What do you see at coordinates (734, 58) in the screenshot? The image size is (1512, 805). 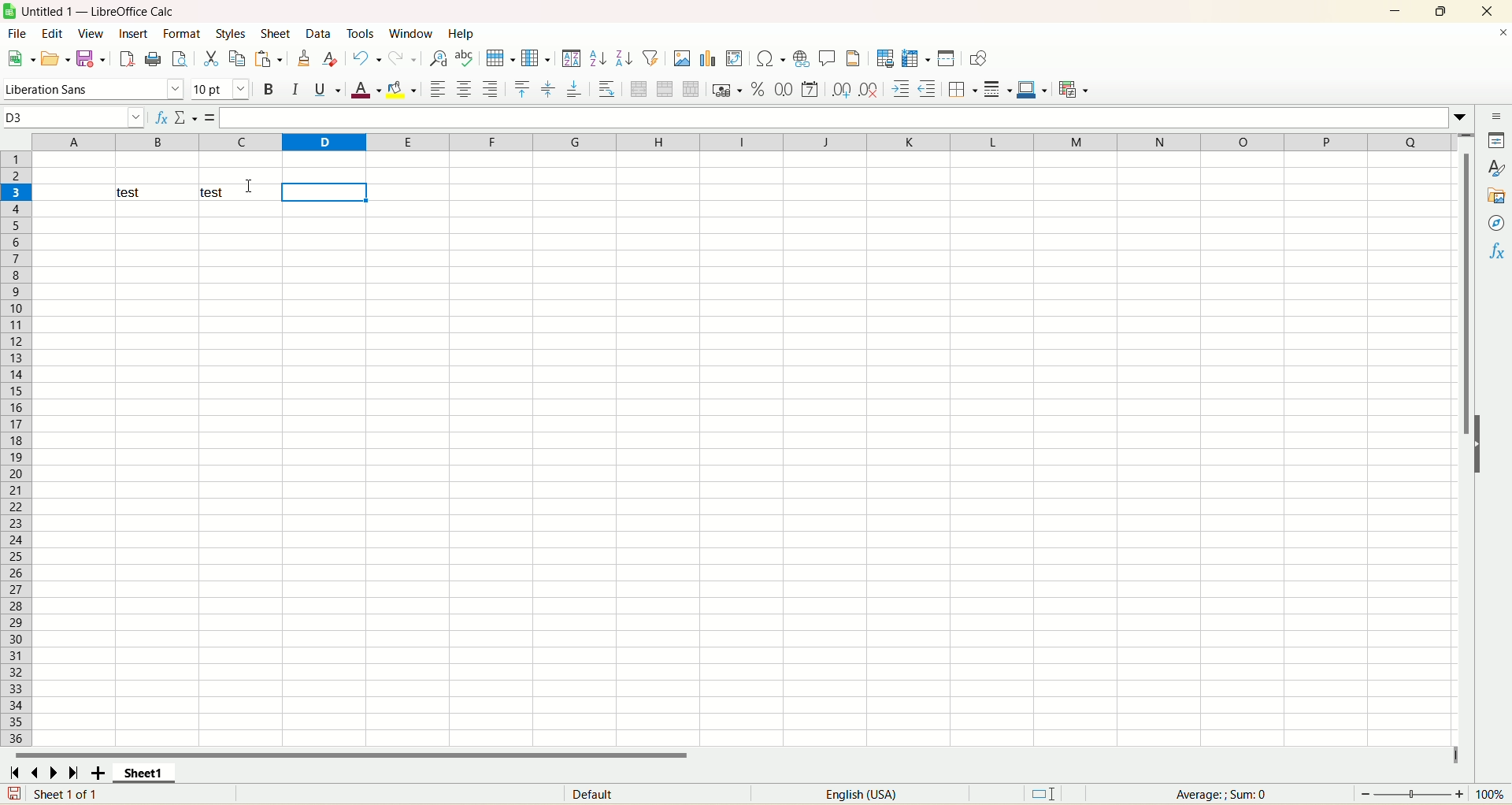 I see `pivot table` at bounding box center [734, 58].